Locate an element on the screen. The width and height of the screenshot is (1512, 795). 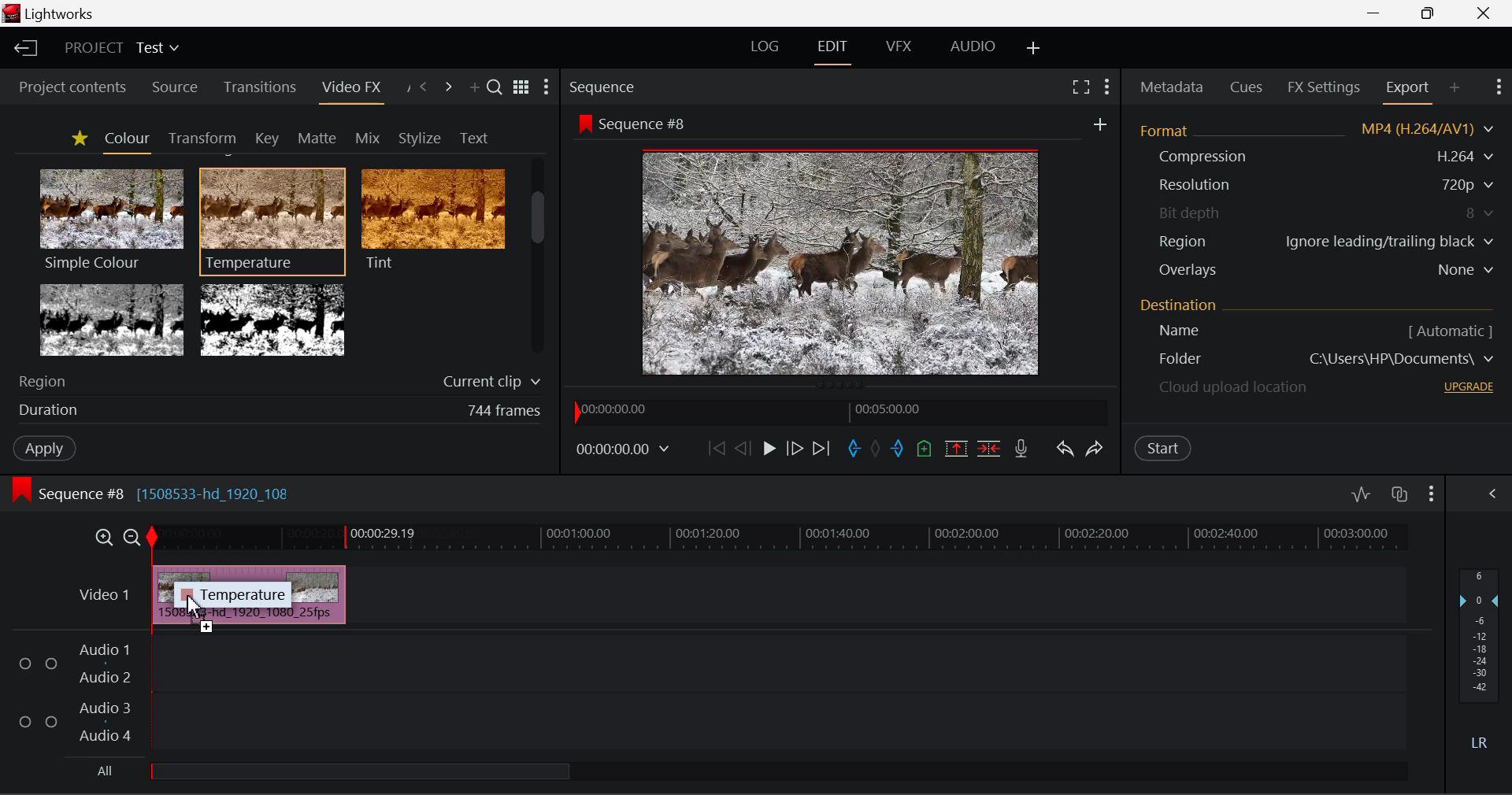
Two Tone is located at coordinates (270, 319).